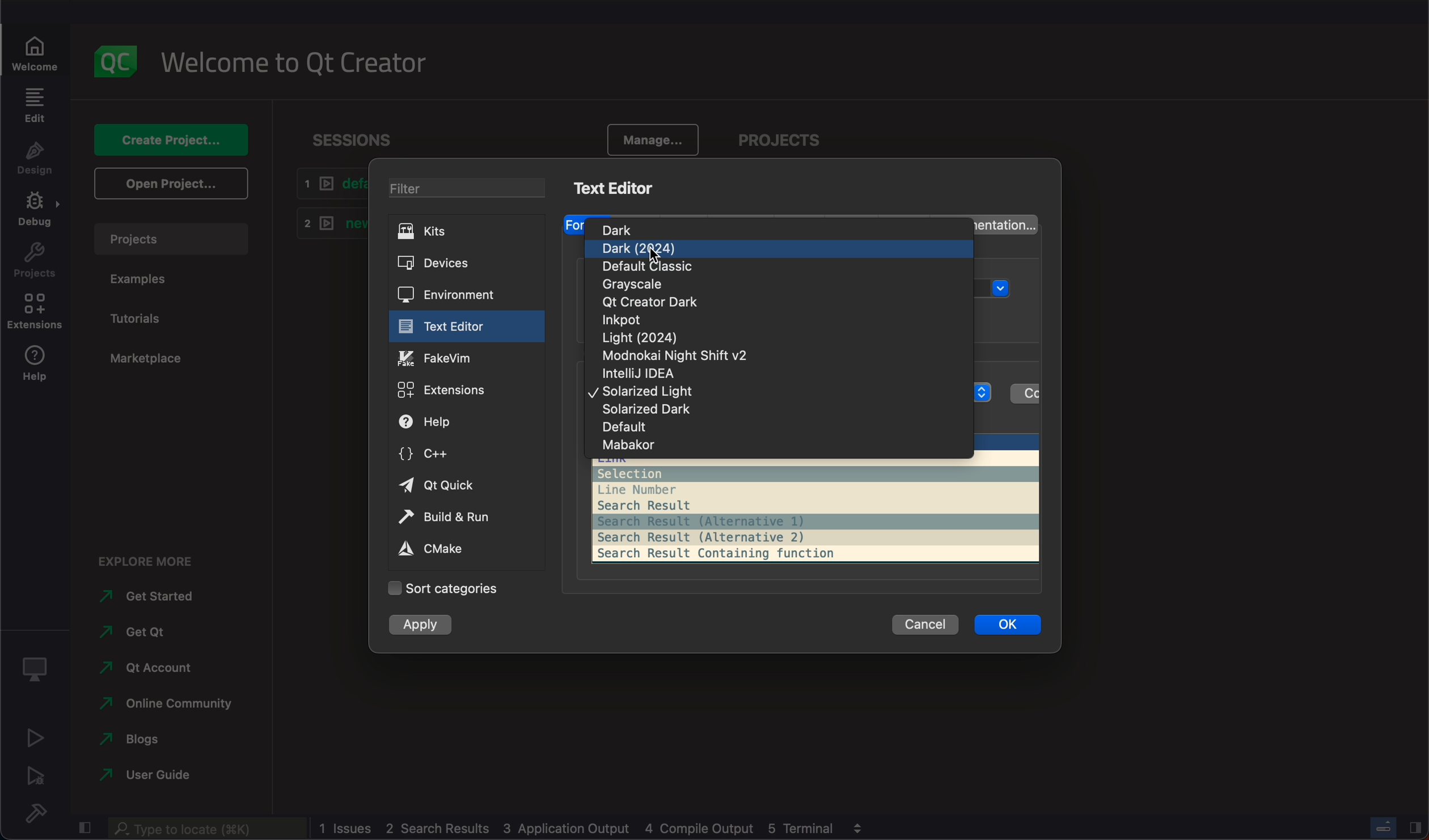  I want to click on modnokai, so click(670, 357).